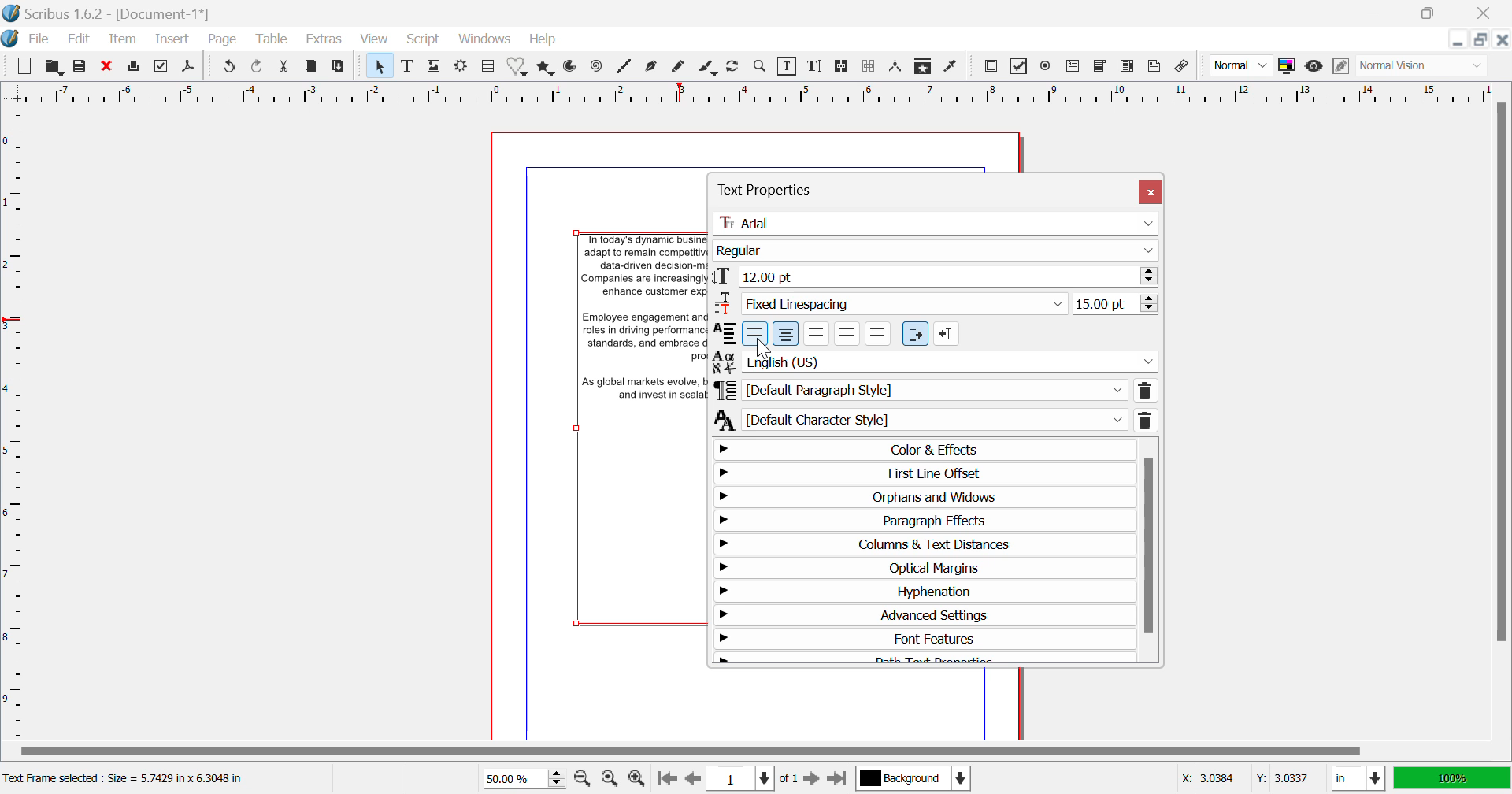 The image size is (1512, 794). I want to click on Copy, so click(313, 66).